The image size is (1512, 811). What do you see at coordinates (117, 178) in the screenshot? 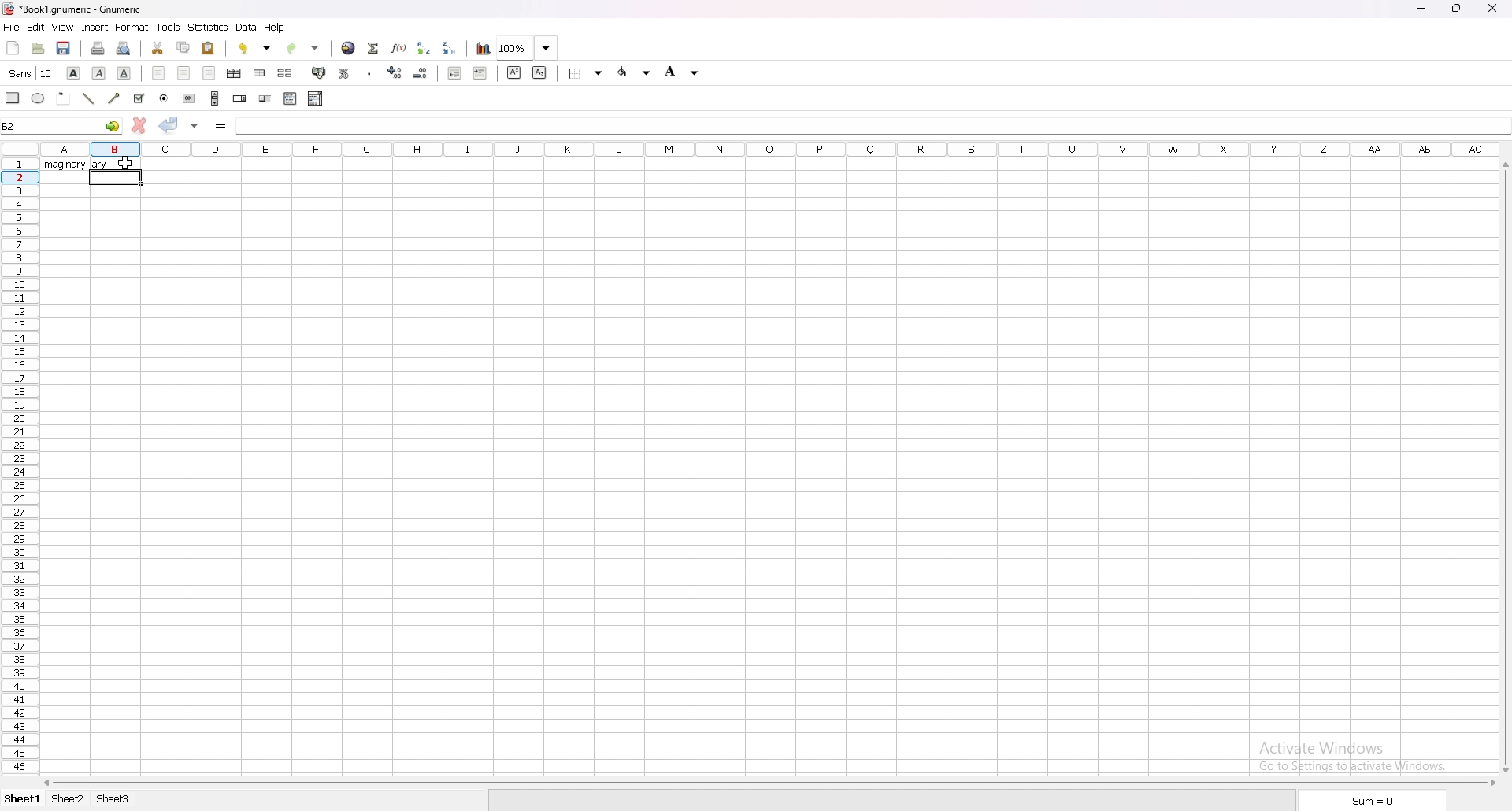
I see `selected cell` at bounding box center [117, 178].